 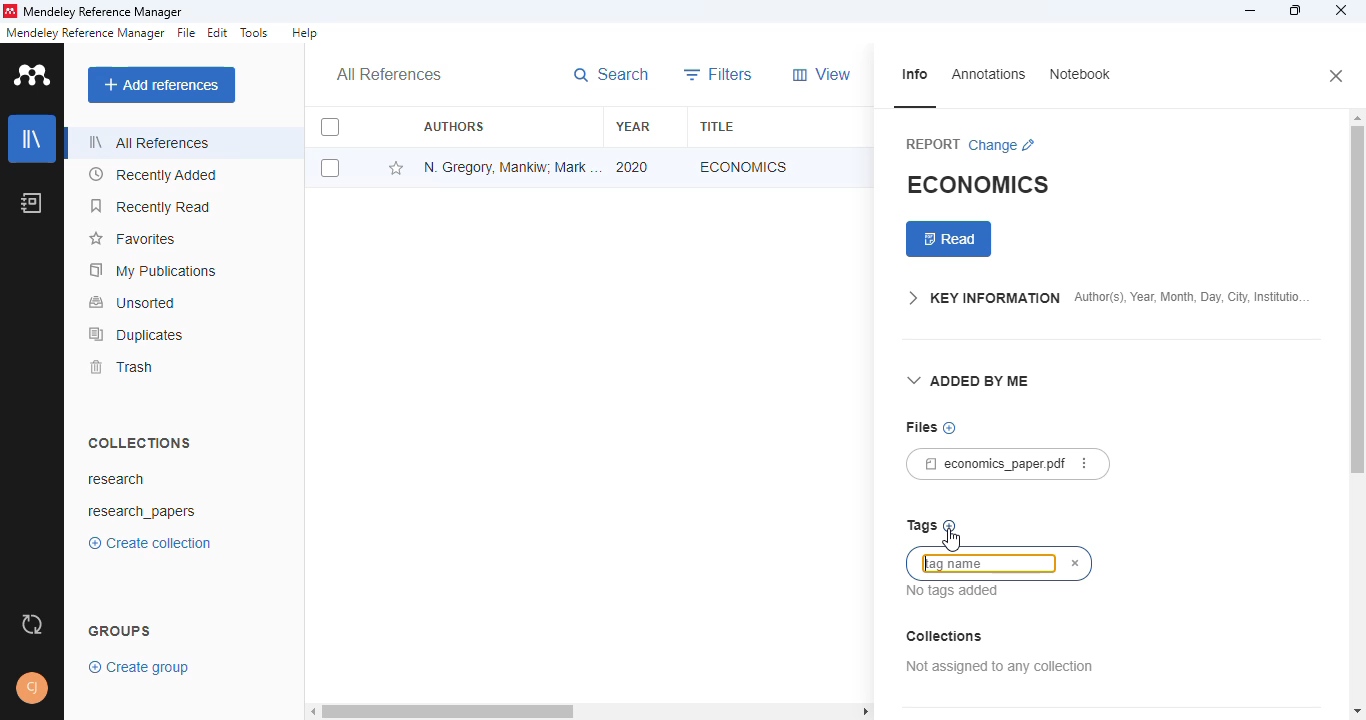 What do you see at coordinates (1076, 564) in the screenshot?
I see `cancel` at bounding box center [1076, 564].